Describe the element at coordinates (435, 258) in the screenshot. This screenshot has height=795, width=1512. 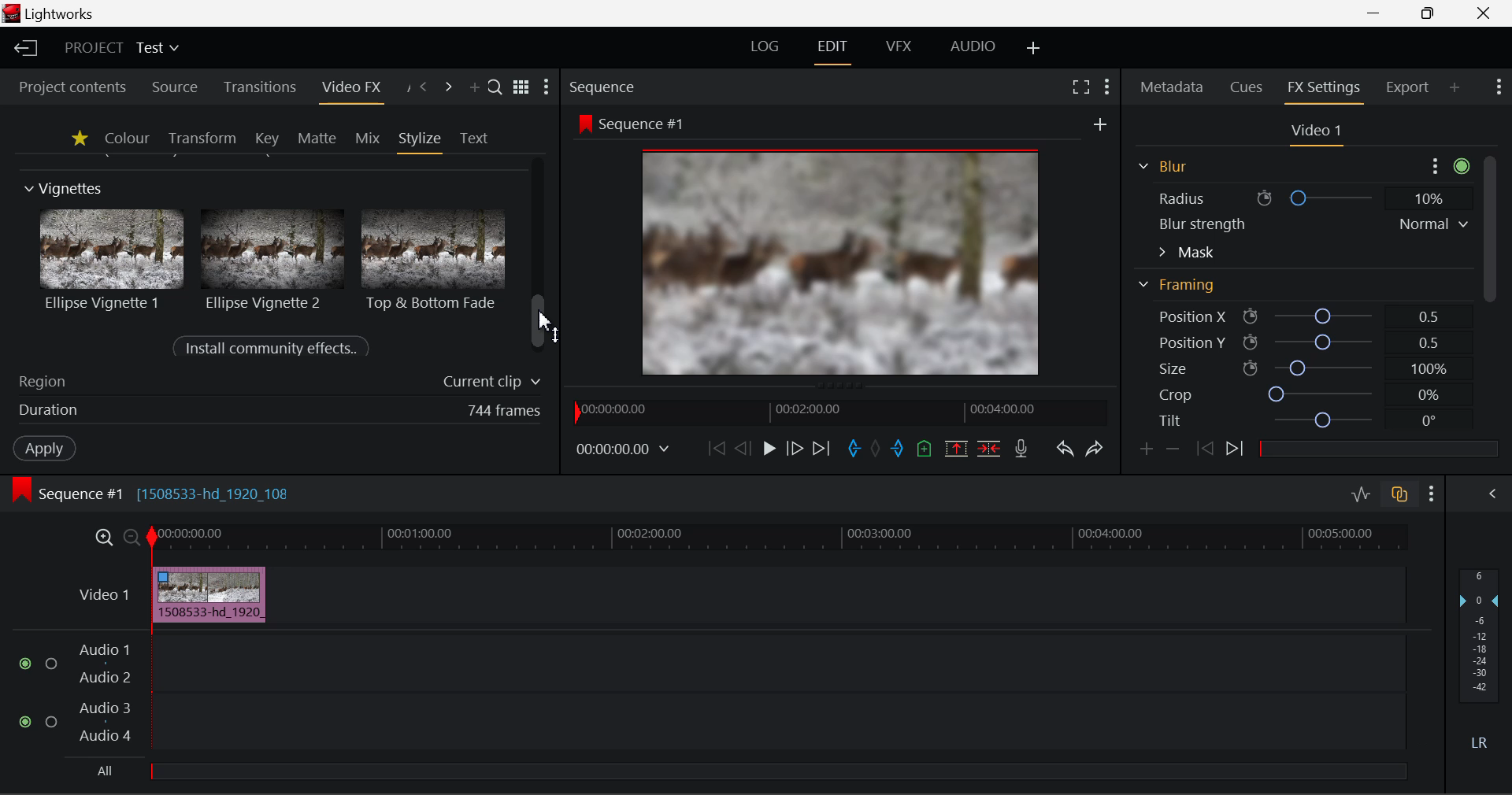
I see `Top & Bottom Fade` at that location.